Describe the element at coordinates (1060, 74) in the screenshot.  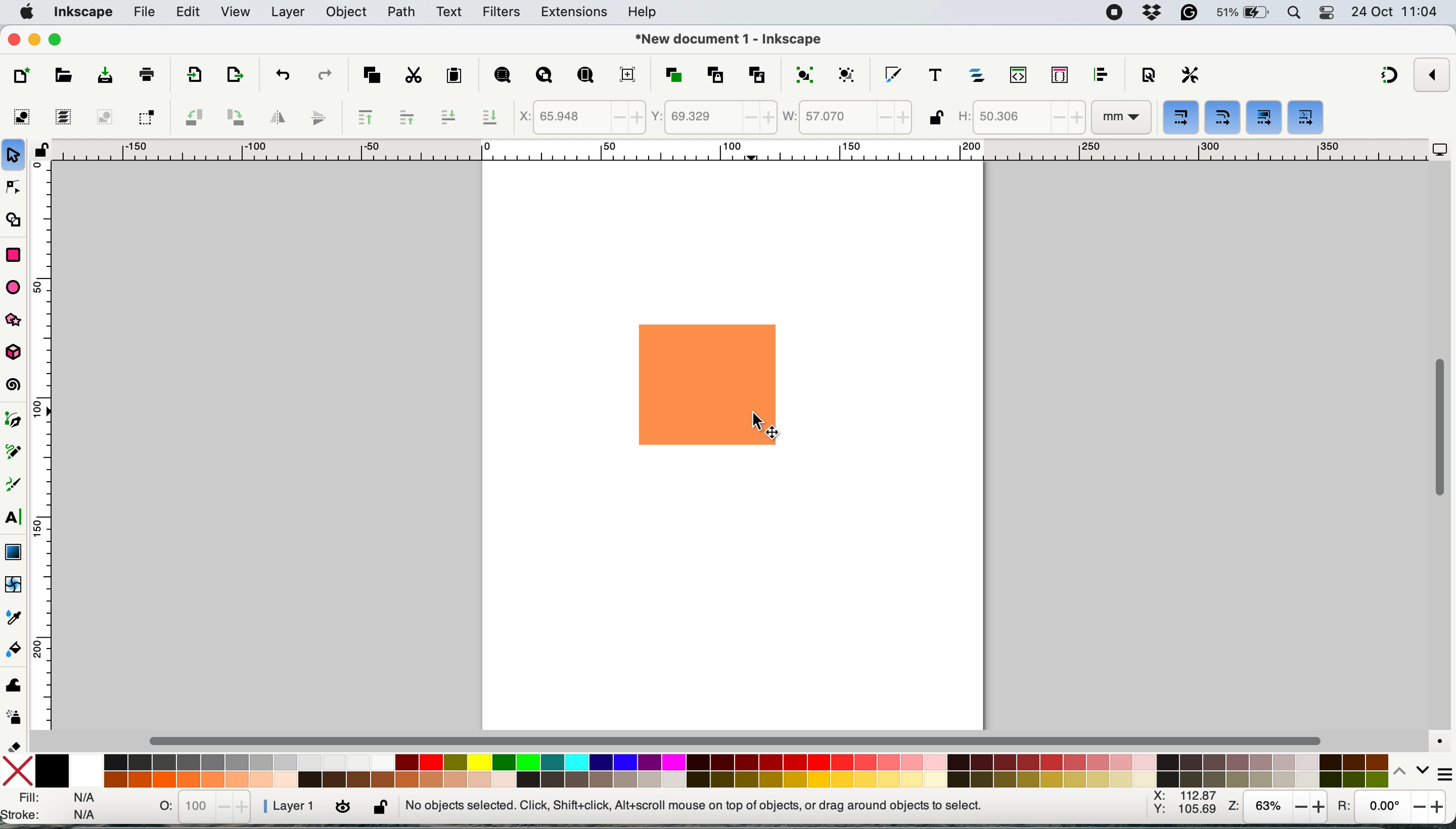
I see `selectors and css` at that location.